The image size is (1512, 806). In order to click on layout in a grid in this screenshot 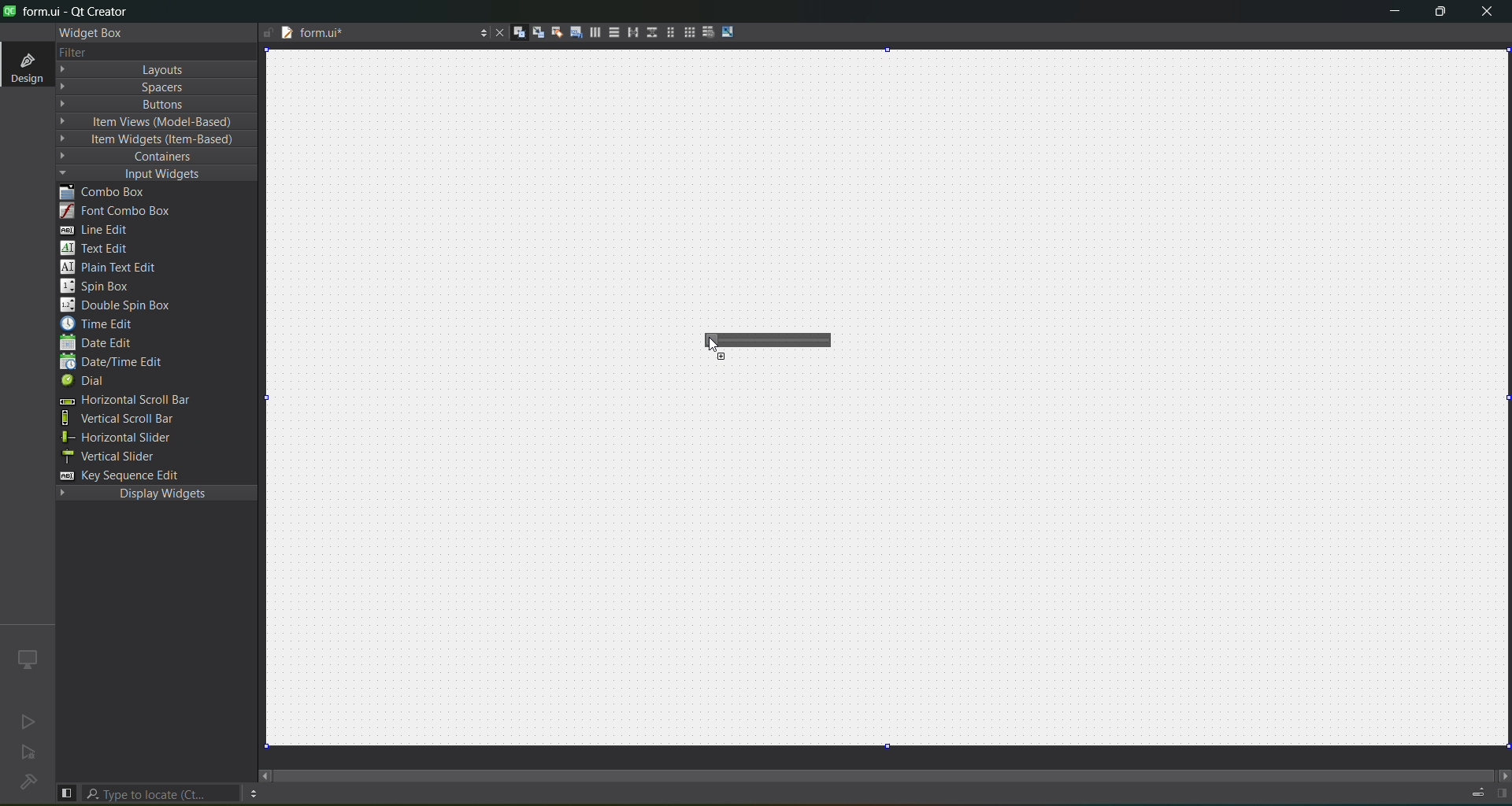, I will do `click(691, 31)`.